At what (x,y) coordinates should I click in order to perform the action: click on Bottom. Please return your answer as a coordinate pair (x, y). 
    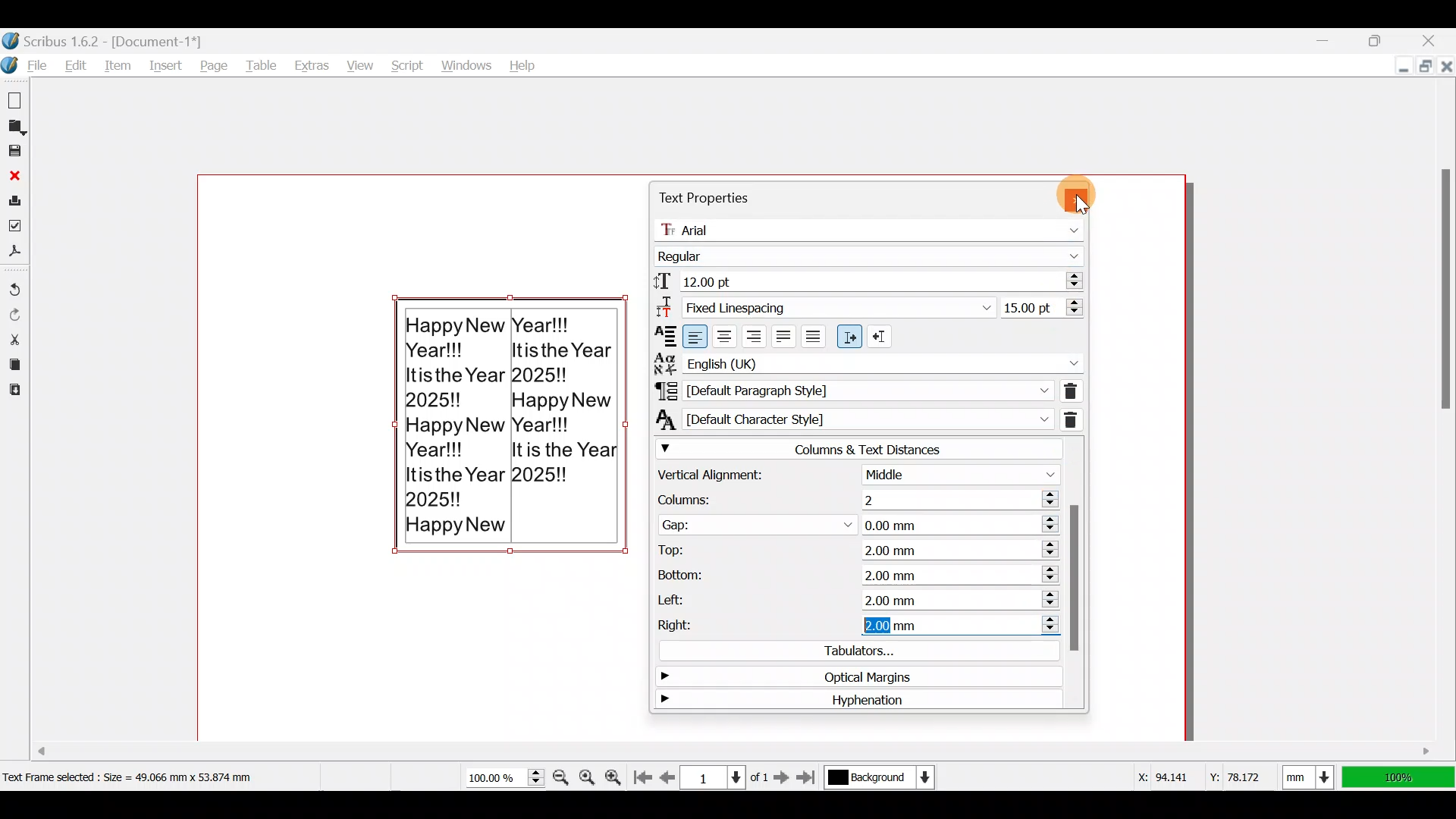
    Looking at the image, I should click on (856, 573).